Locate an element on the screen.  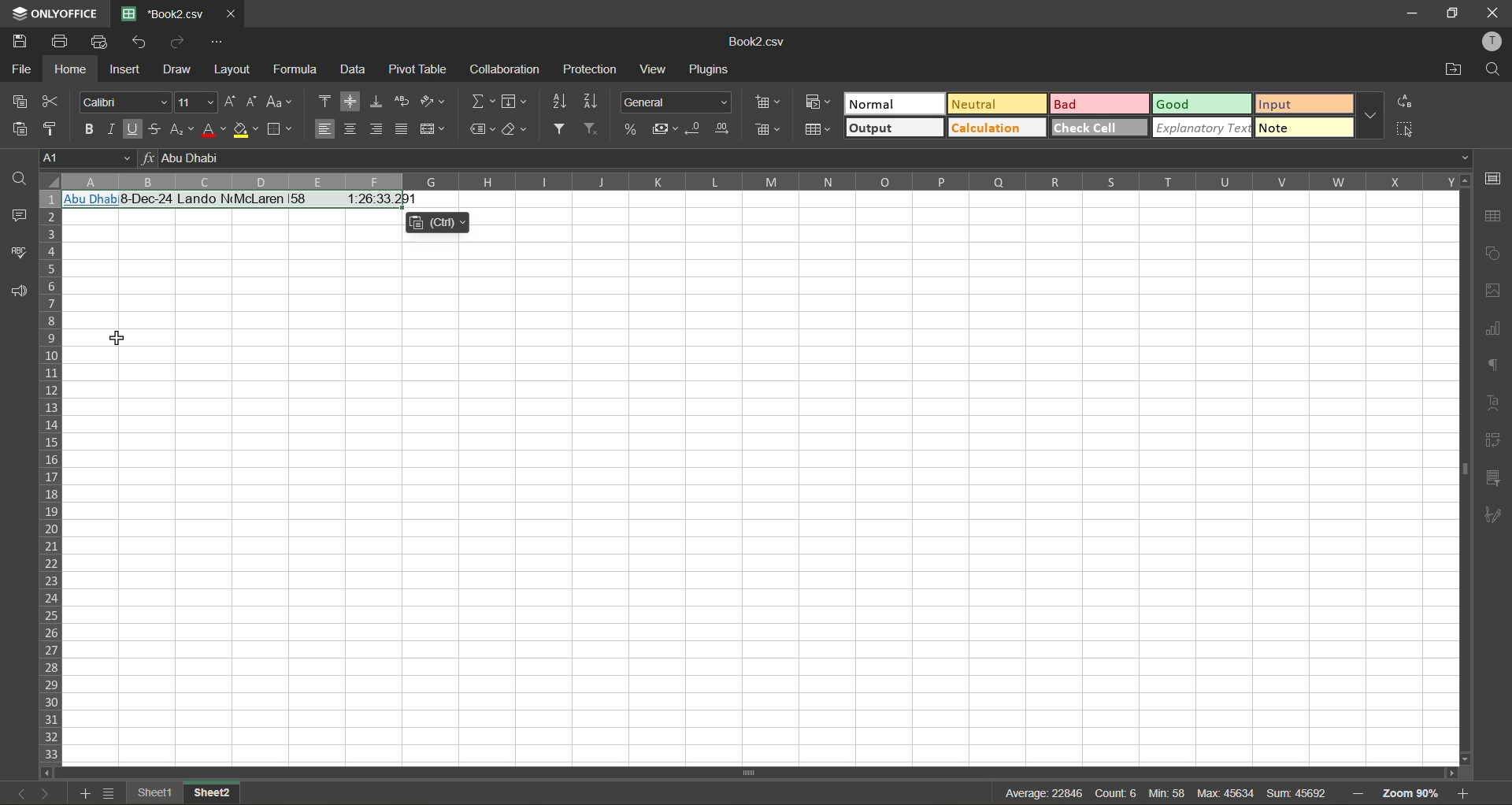
insert cells  is located at coordinates (769, 102).